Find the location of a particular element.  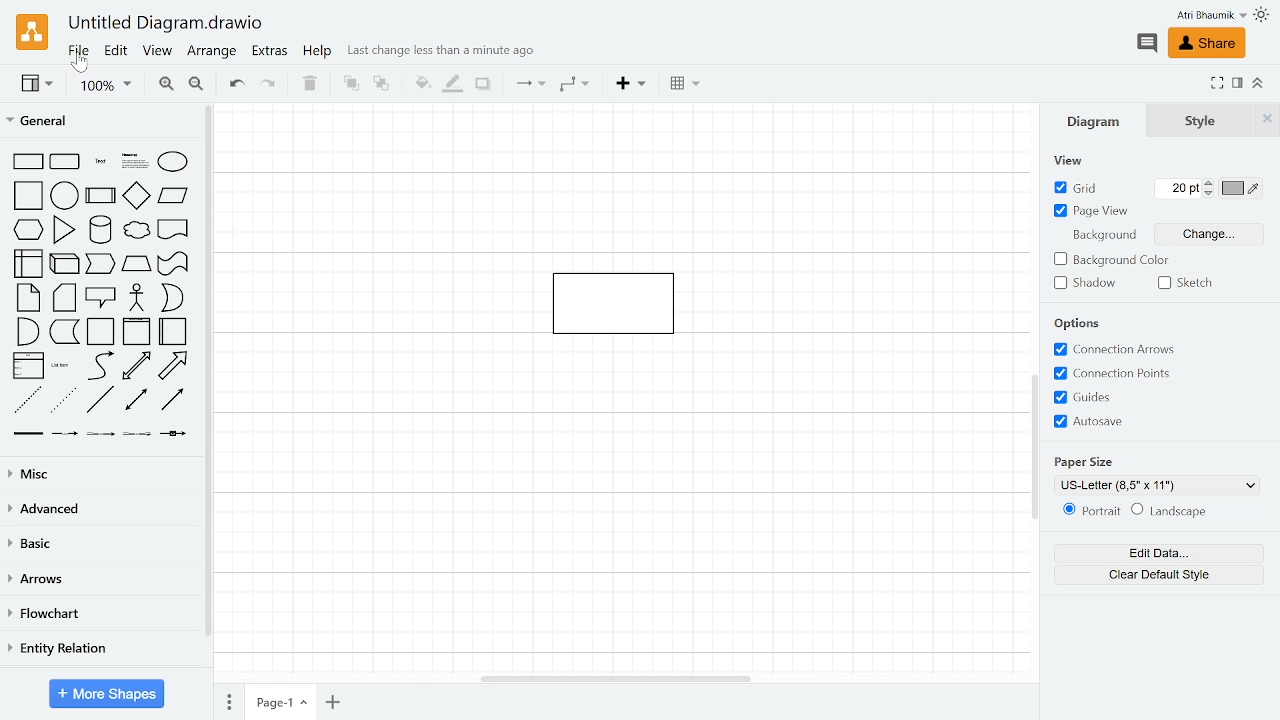

Zoom out is located at coordinates (198, 85).